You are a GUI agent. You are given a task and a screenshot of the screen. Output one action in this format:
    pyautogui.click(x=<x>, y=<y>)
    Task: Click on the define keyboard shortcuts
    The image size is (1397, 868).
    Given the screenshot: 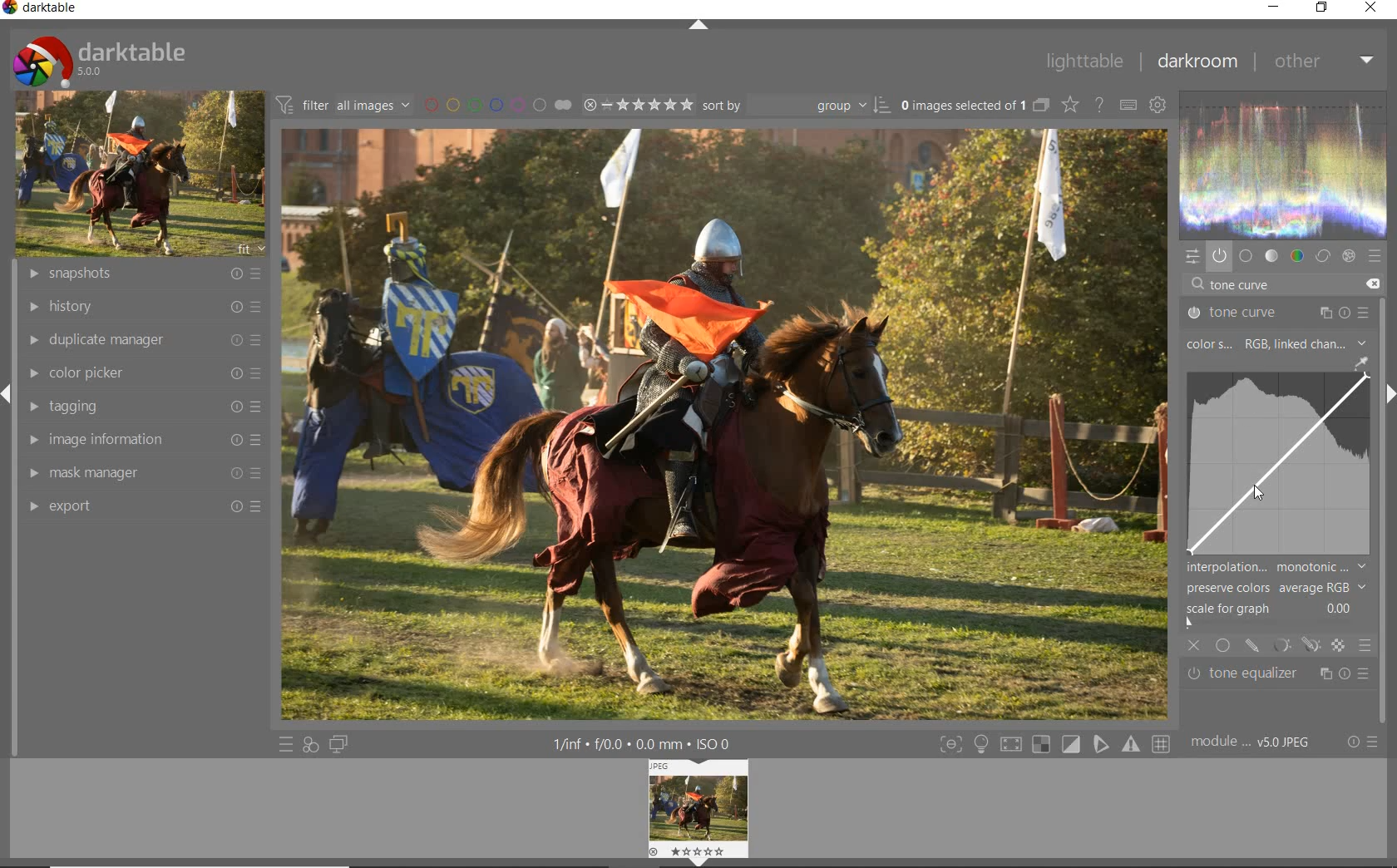 What is the action you would take?
    pyautogui.click(x=1128, y=106)
    